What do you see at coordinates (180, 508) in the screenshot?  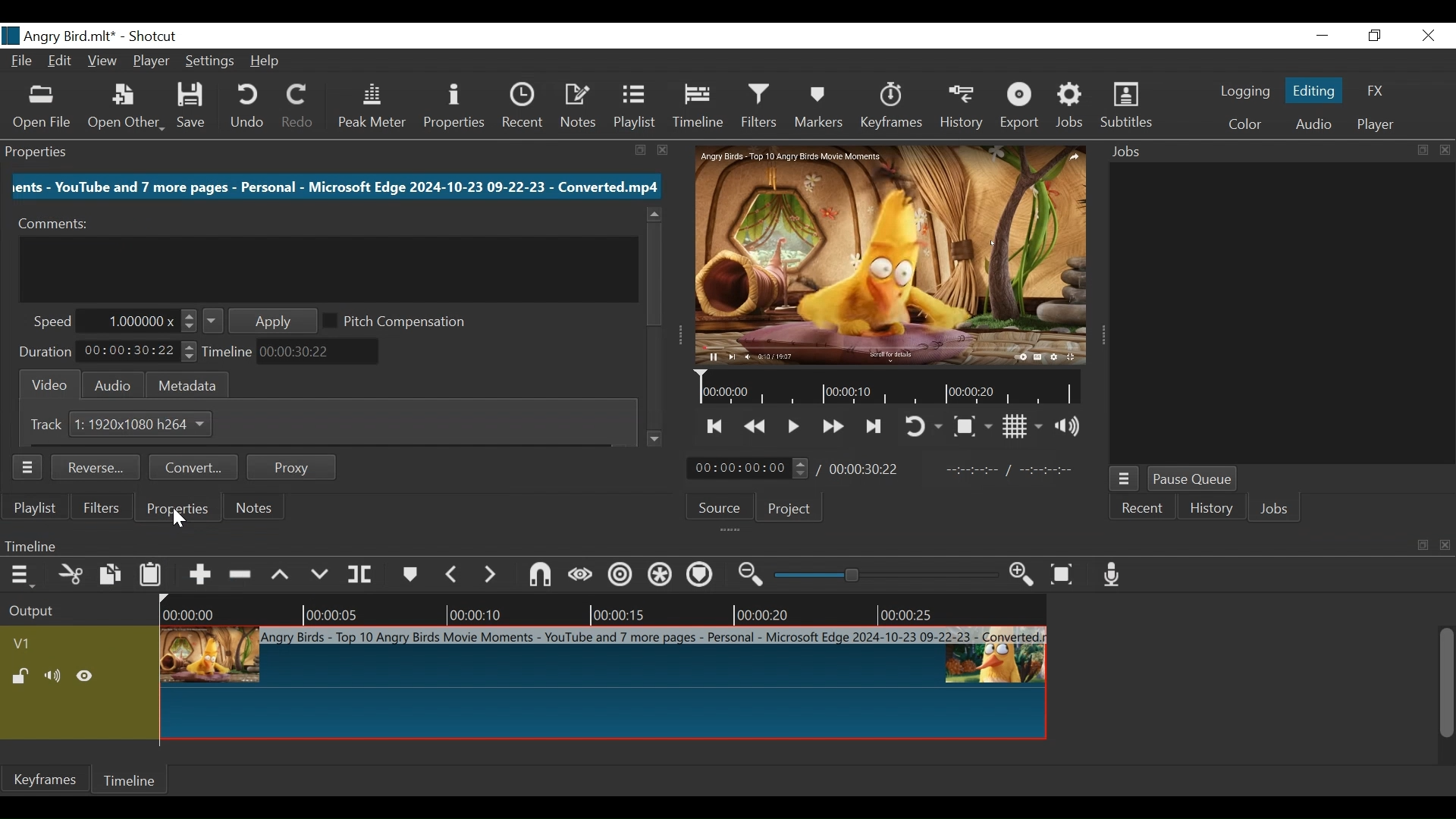 I see `Properties` at bounding box center [180, 508].